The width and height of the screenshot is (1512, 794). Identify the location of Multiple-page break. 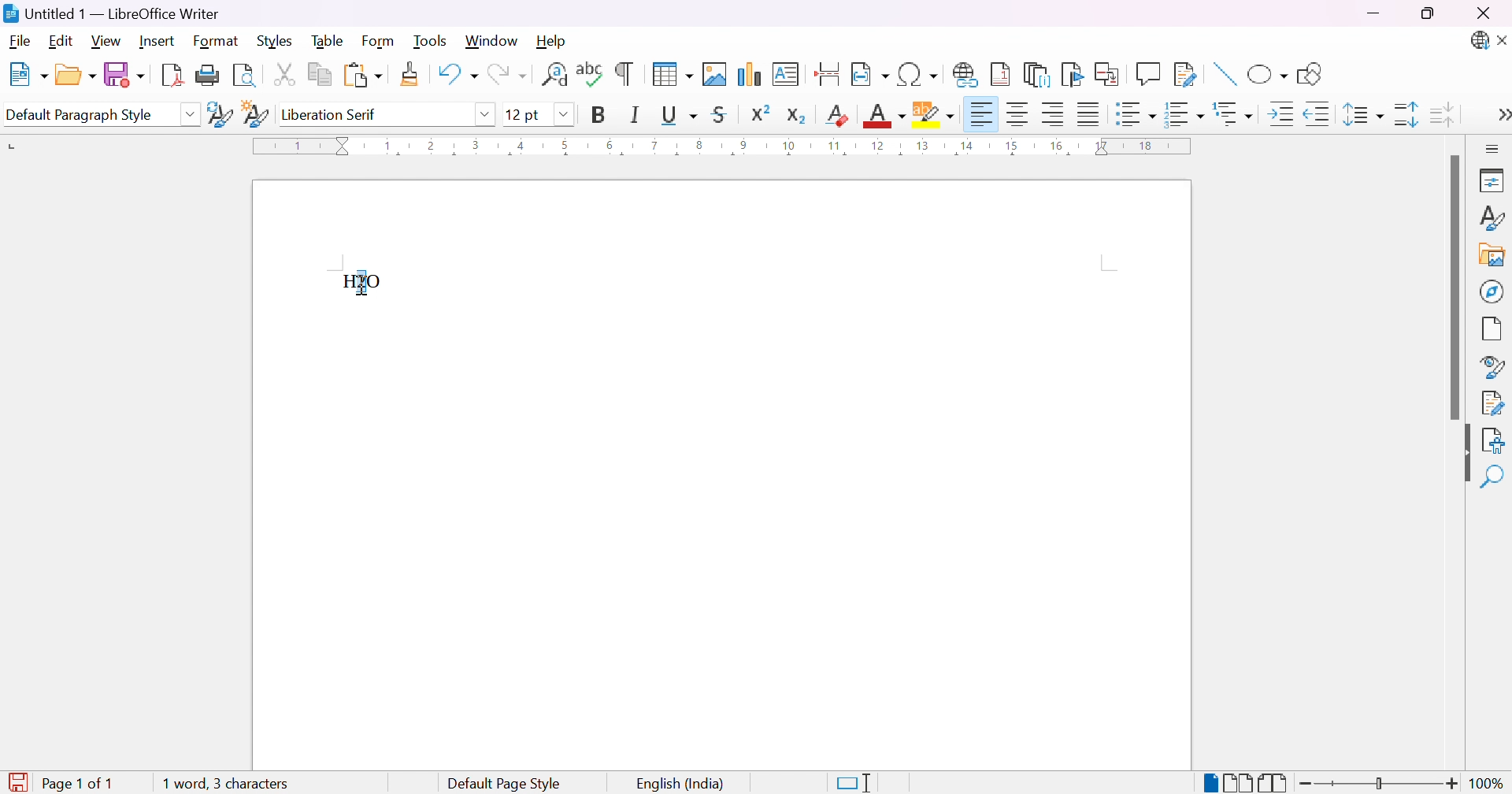
(1237, 785).